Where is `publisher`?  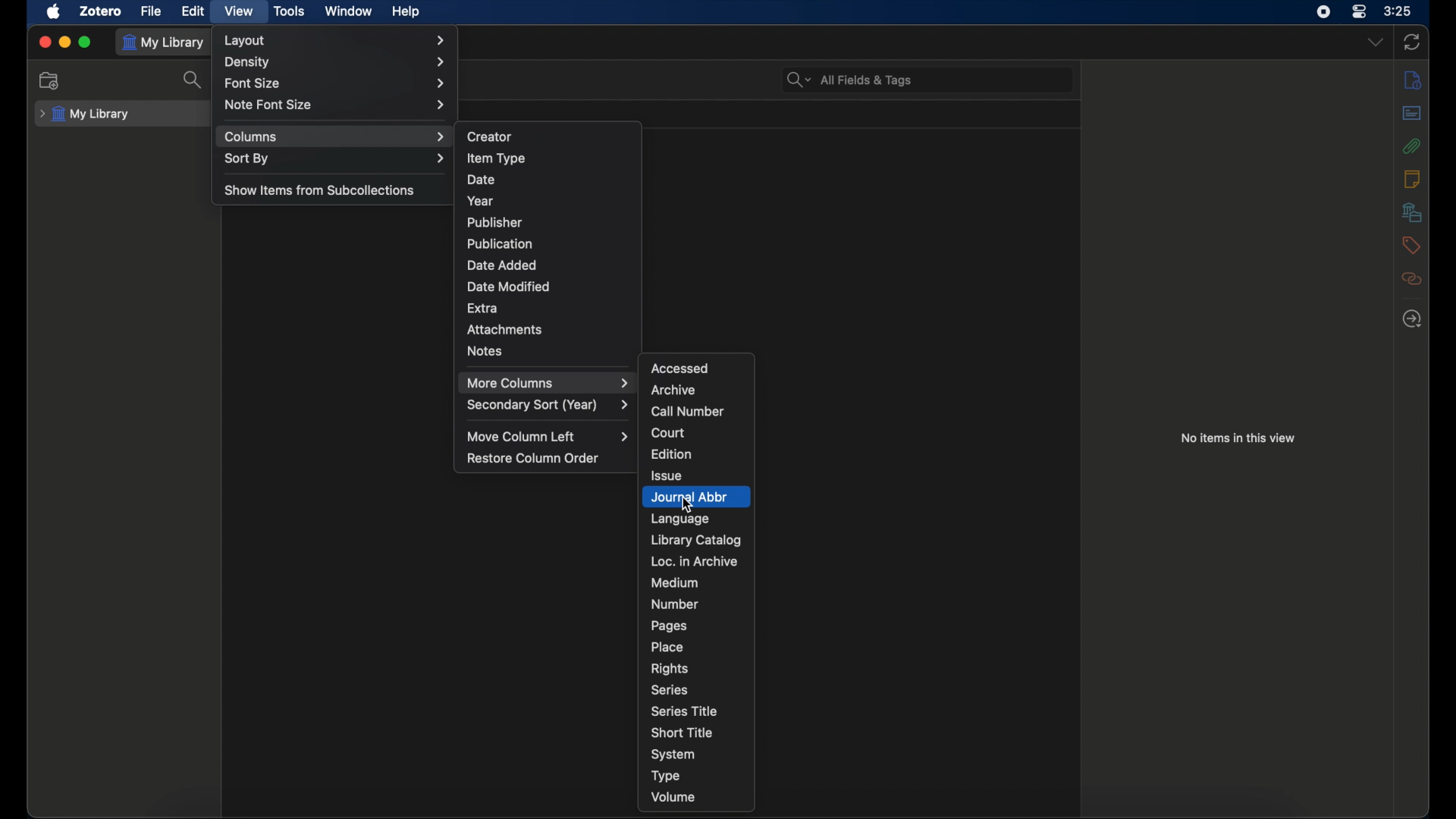 publisher is located at coordinates (495, 222).